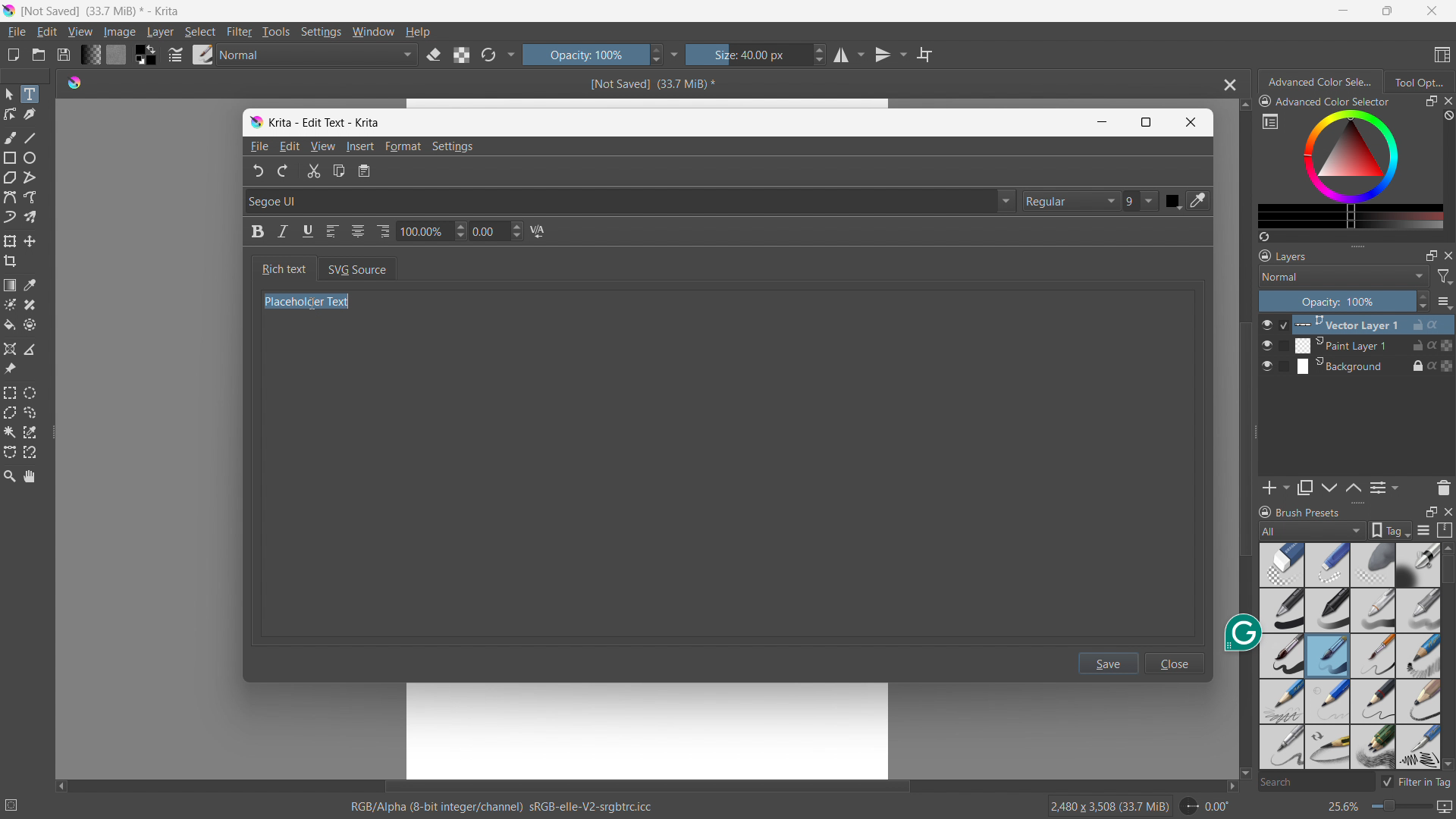  What do you see at coordinates (1447, 116) in the screenshot?
I see `clear all color history` at bounding box center [1447, 116].